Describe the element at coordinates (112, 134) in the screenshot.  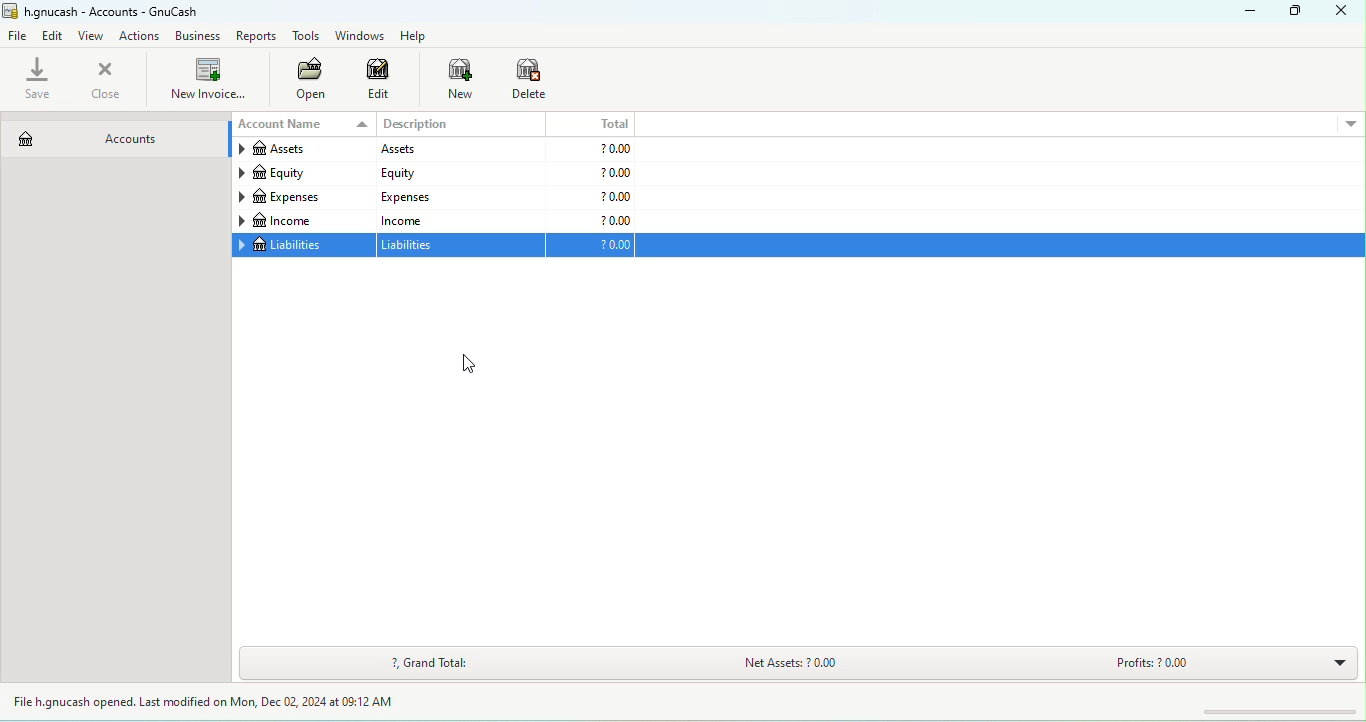
I see `accounts` at that location.